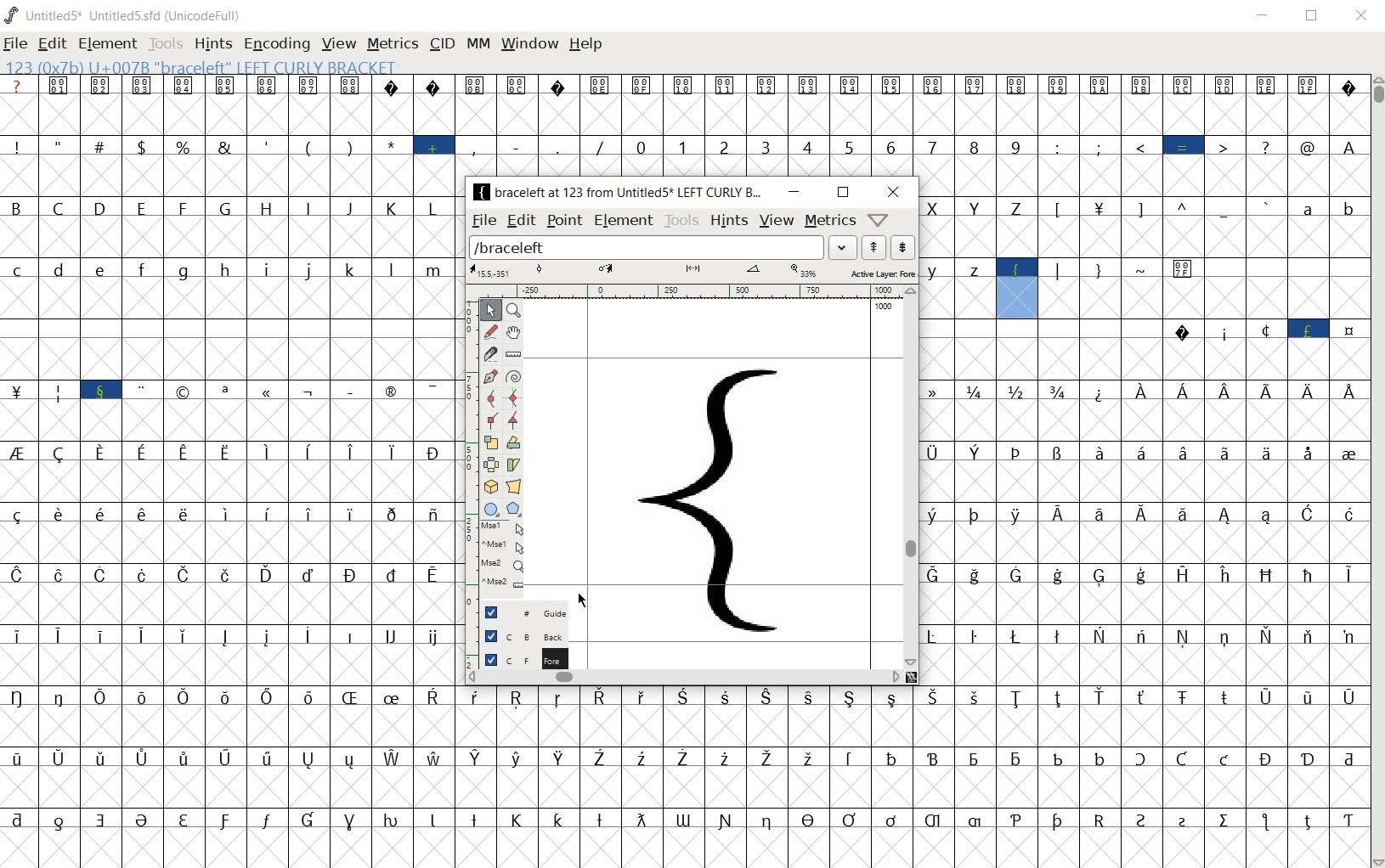 The height and width of the screenshot is (868, 1385). I want to click on window, so click(529, 44).